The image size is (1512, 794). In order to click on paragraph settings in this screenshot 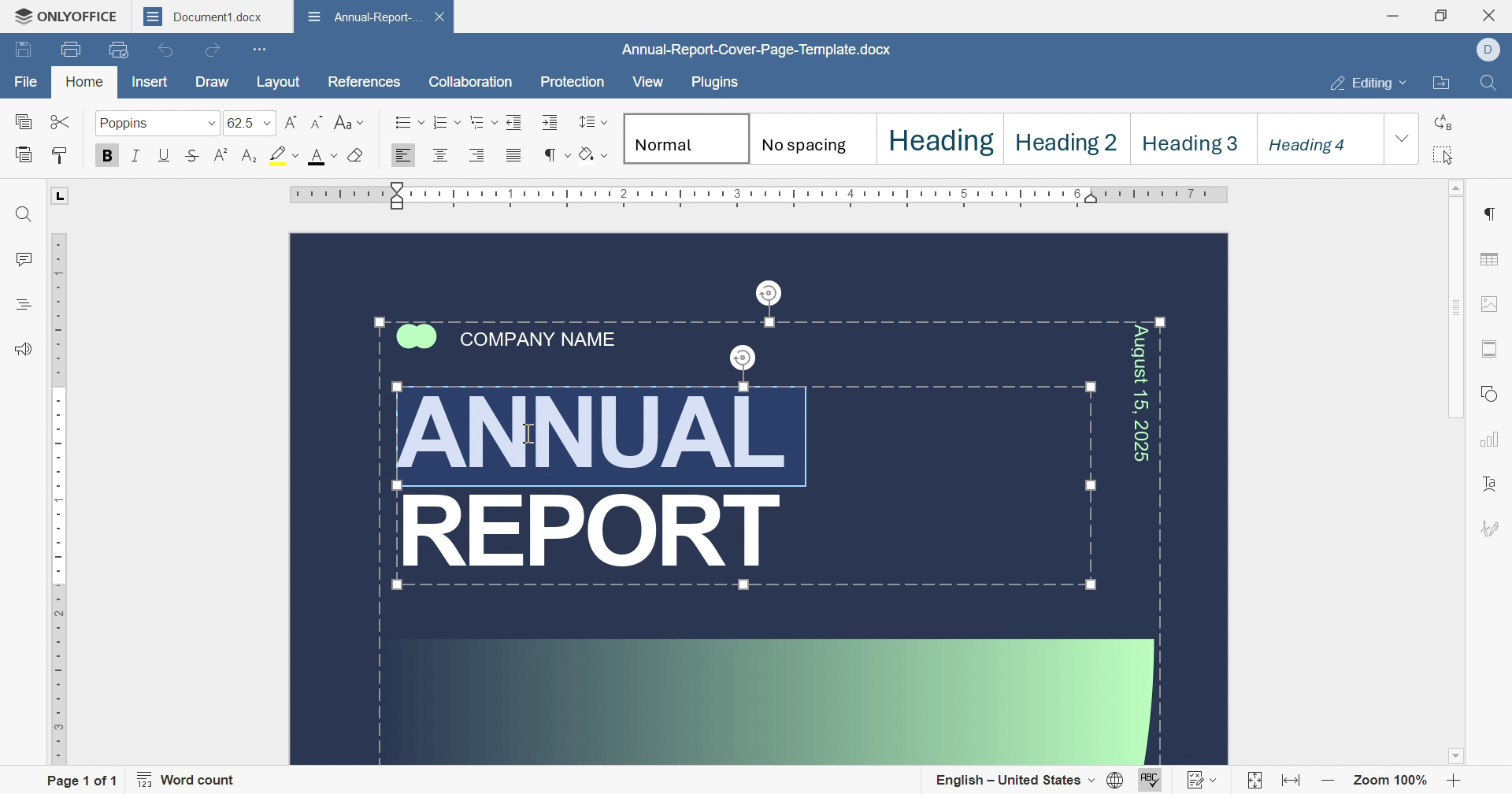, I will do `click(1488, 213)`.